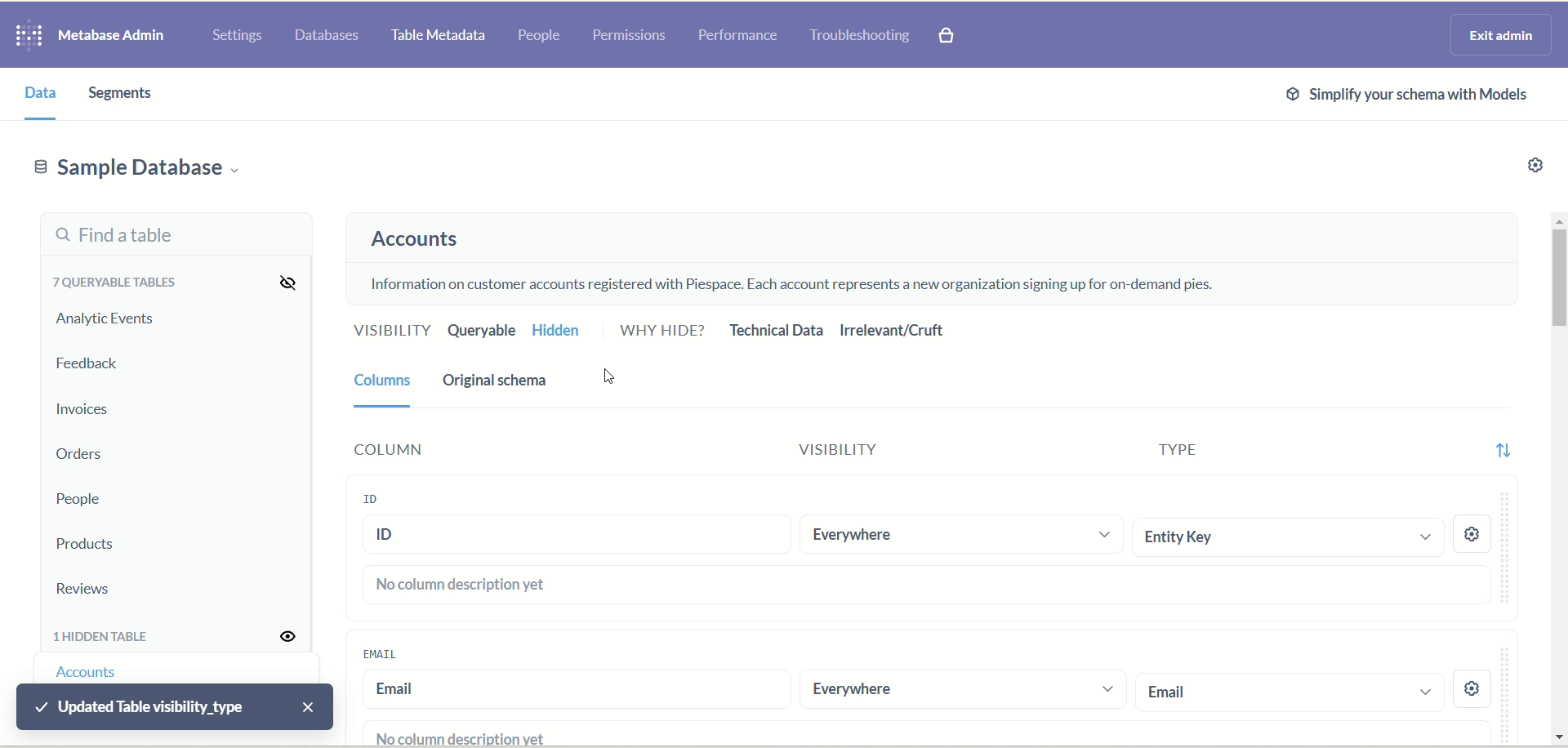 This screenshot has height=748, width=1568. Describe the element at coordinates (617, 378) in the screenshot. I see `cursor` at that location.